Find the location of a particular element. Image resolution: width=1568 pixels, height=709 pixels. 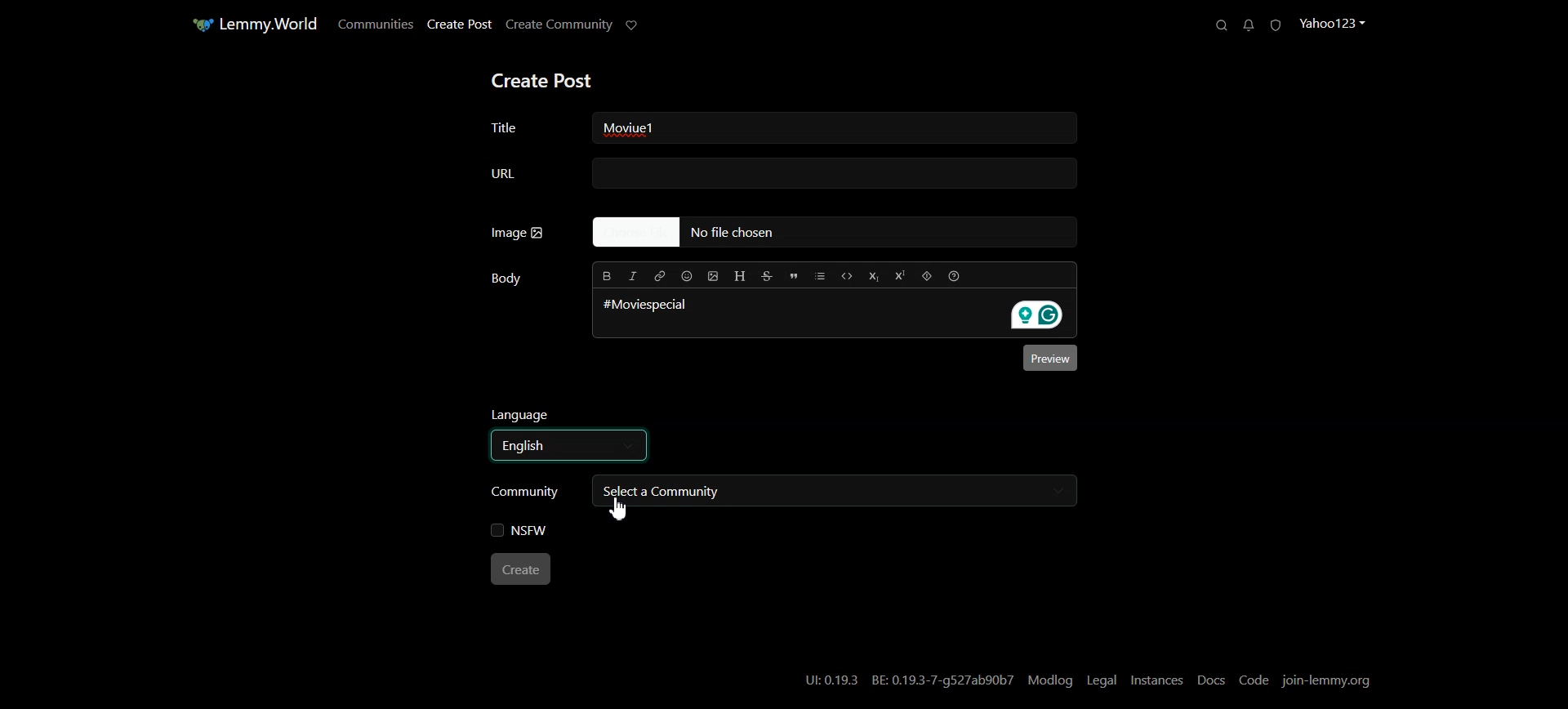

Text is located at coordinates (648, 127).